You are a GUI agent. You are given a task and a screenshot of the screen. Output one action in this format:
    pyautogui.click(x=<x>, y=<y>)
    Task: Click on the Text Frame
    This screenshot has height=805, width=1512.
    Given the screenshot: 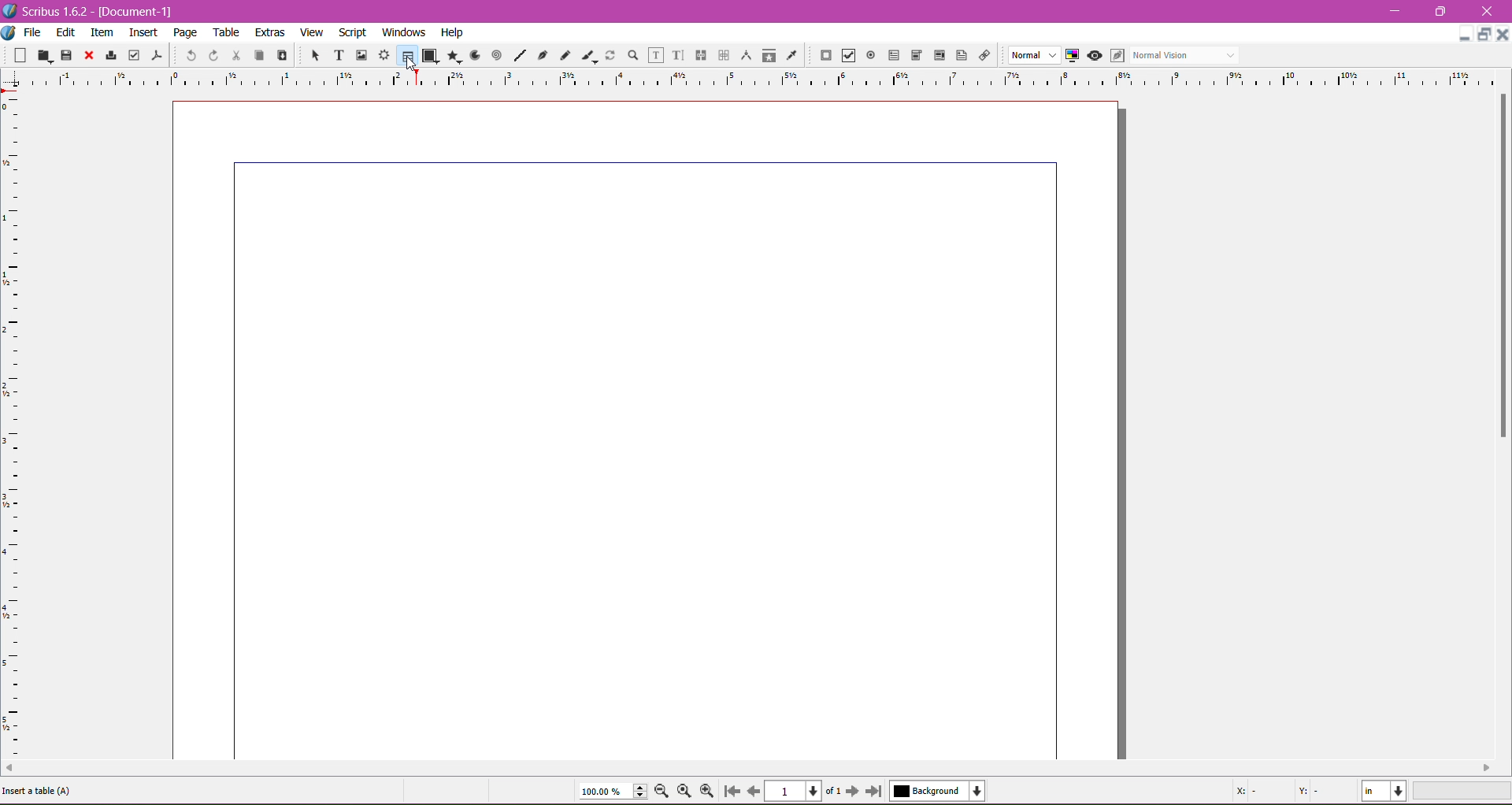 What is the action you would take?
    pyautogui.click(x=335, y=55)
    